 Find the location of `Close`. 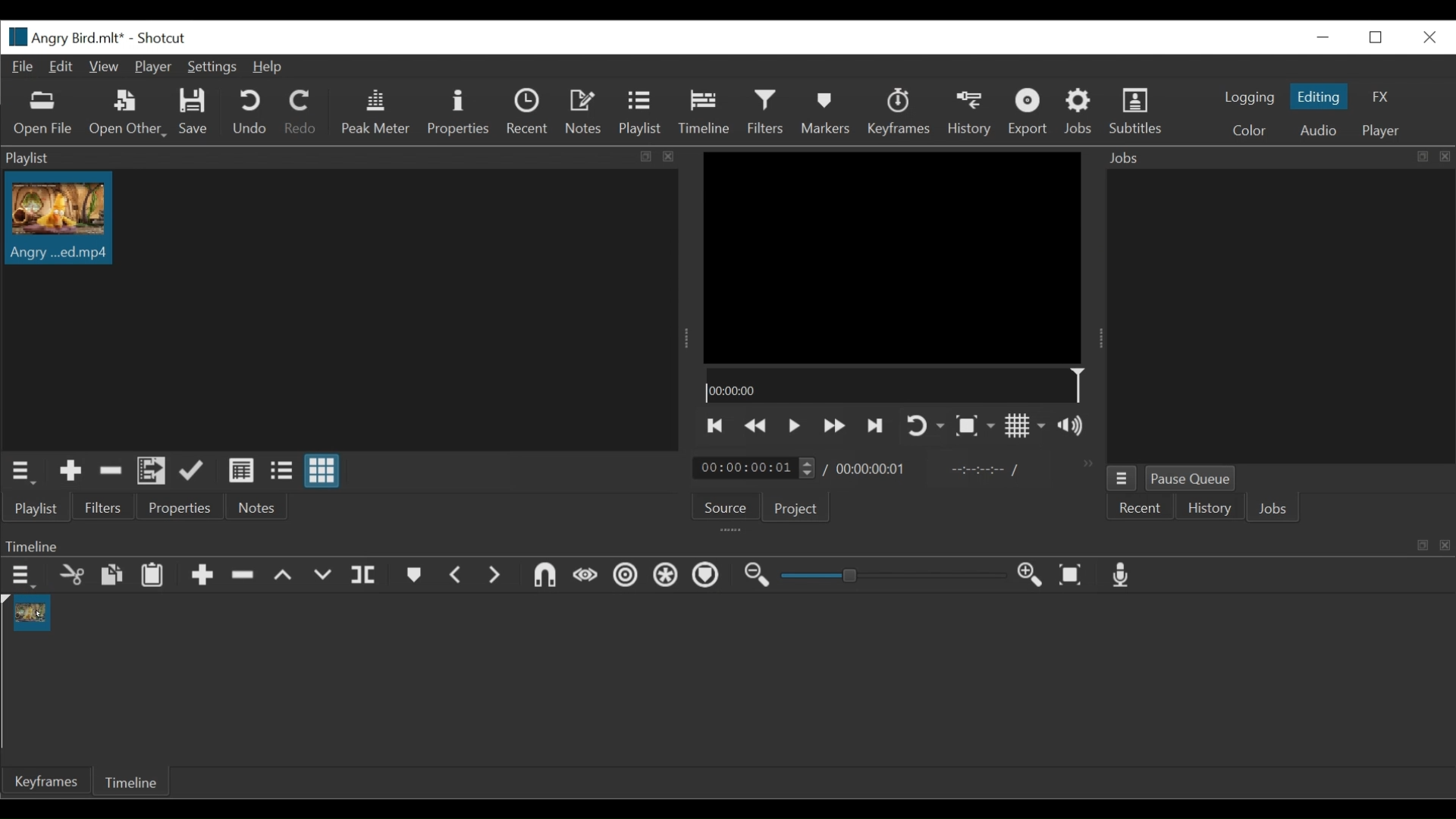

Close is located at coordinates (1430, 37).